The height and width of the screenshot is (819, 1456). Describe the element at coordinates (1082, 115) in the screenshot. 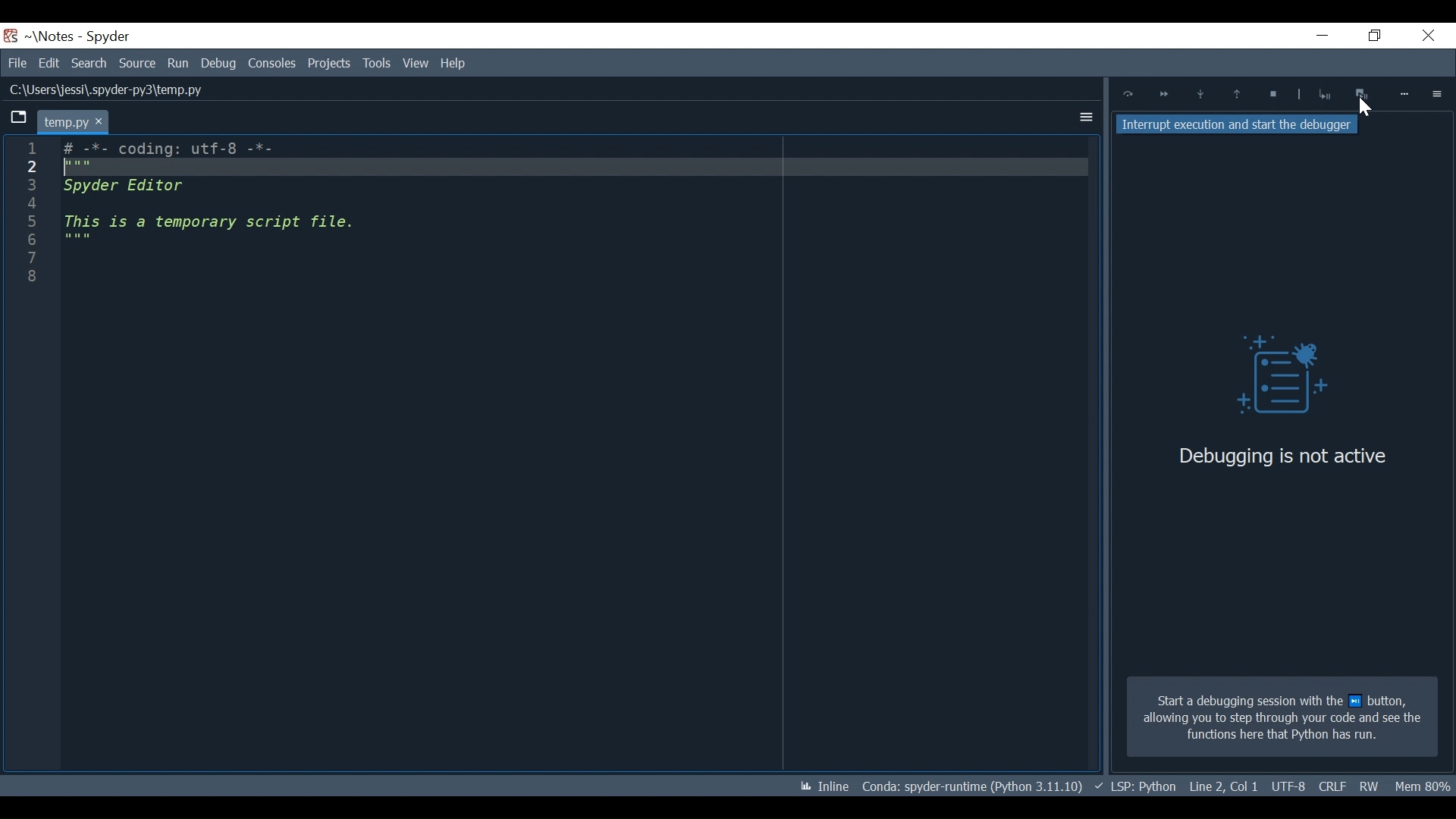

I see `More Options` at that location.